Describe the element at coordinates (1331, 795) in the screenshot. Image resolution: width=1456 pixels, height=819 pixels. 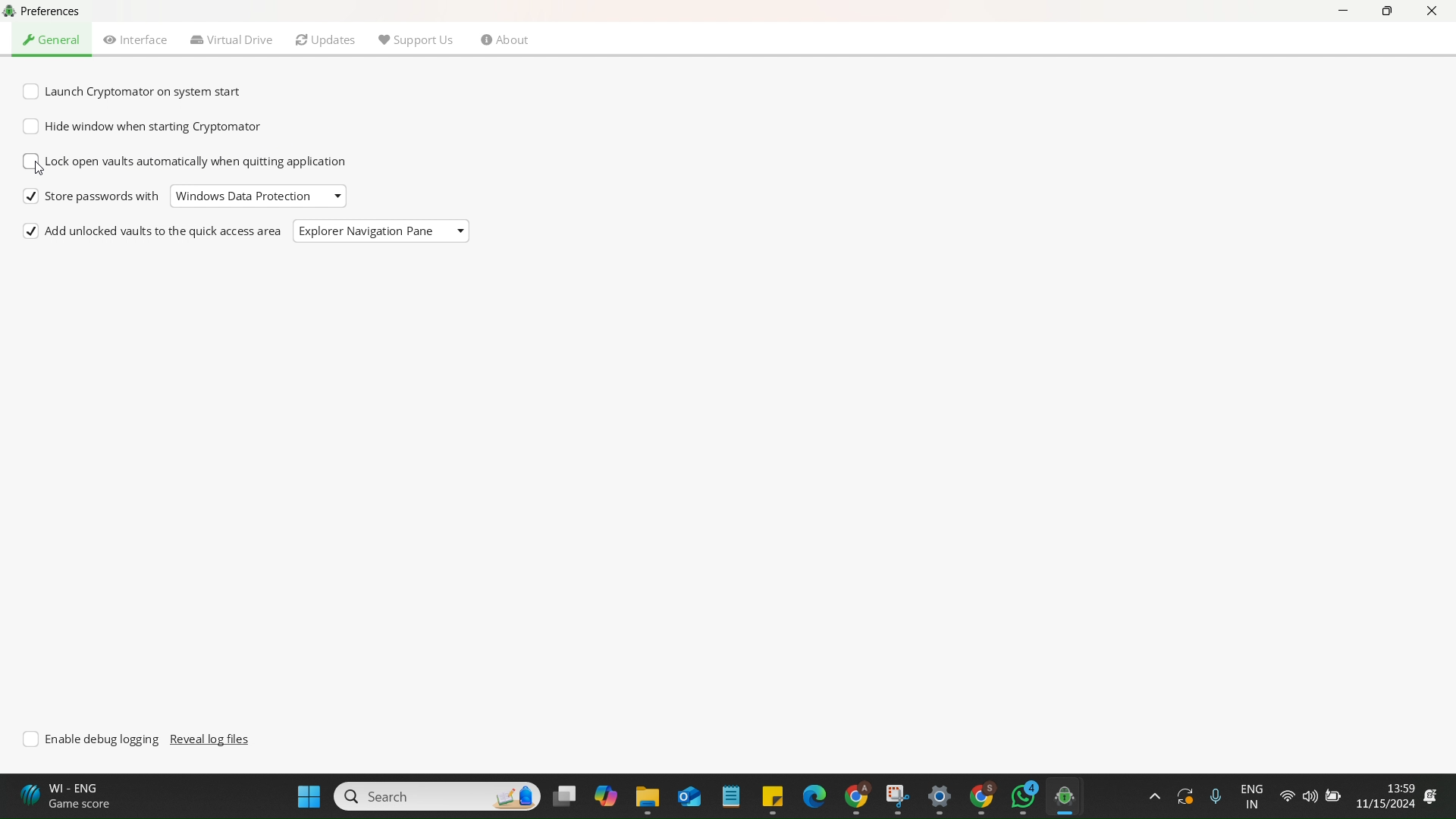
I see `Battery` at that location.